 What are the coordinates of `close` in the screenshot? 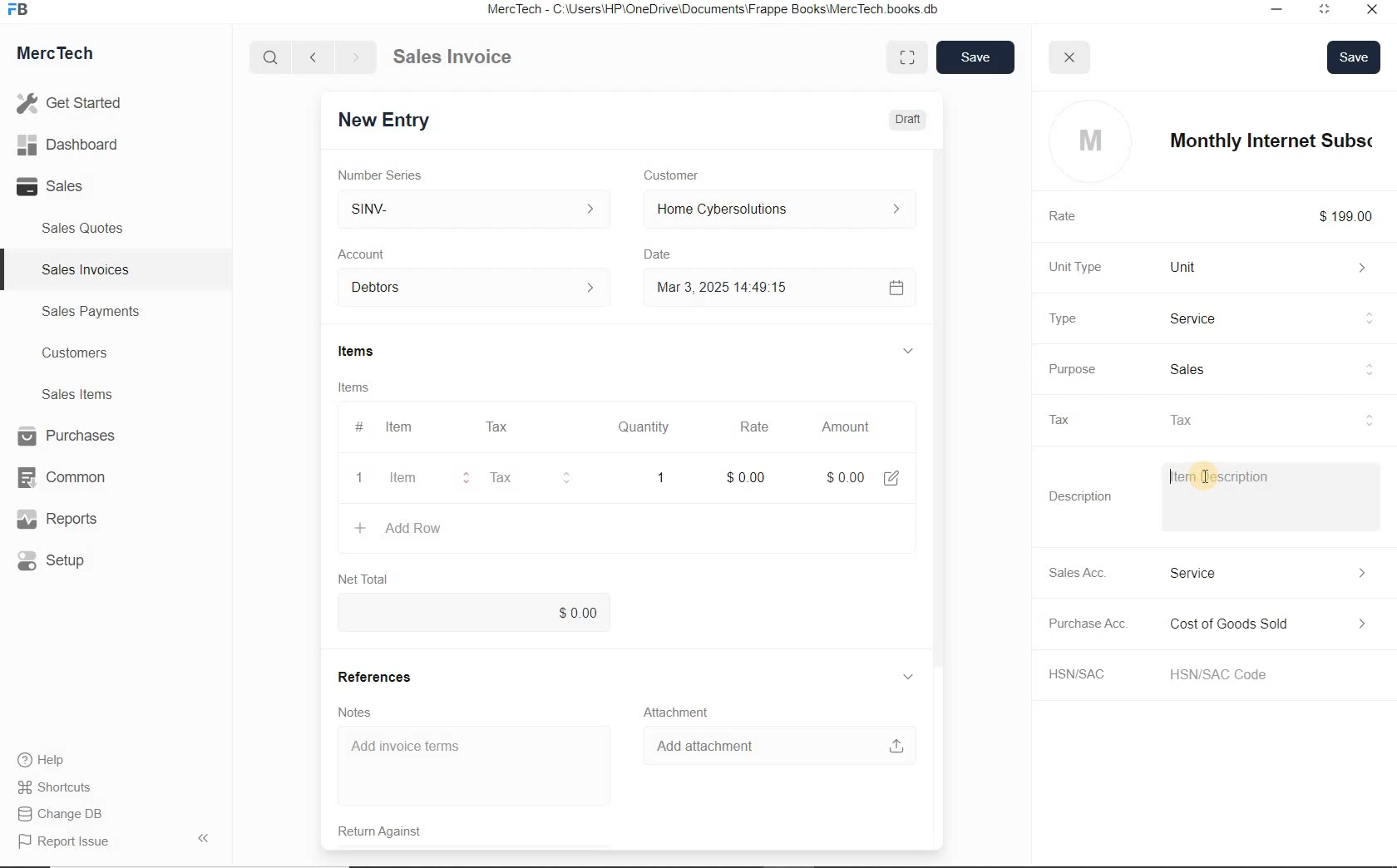 It's located at (1068, 57).